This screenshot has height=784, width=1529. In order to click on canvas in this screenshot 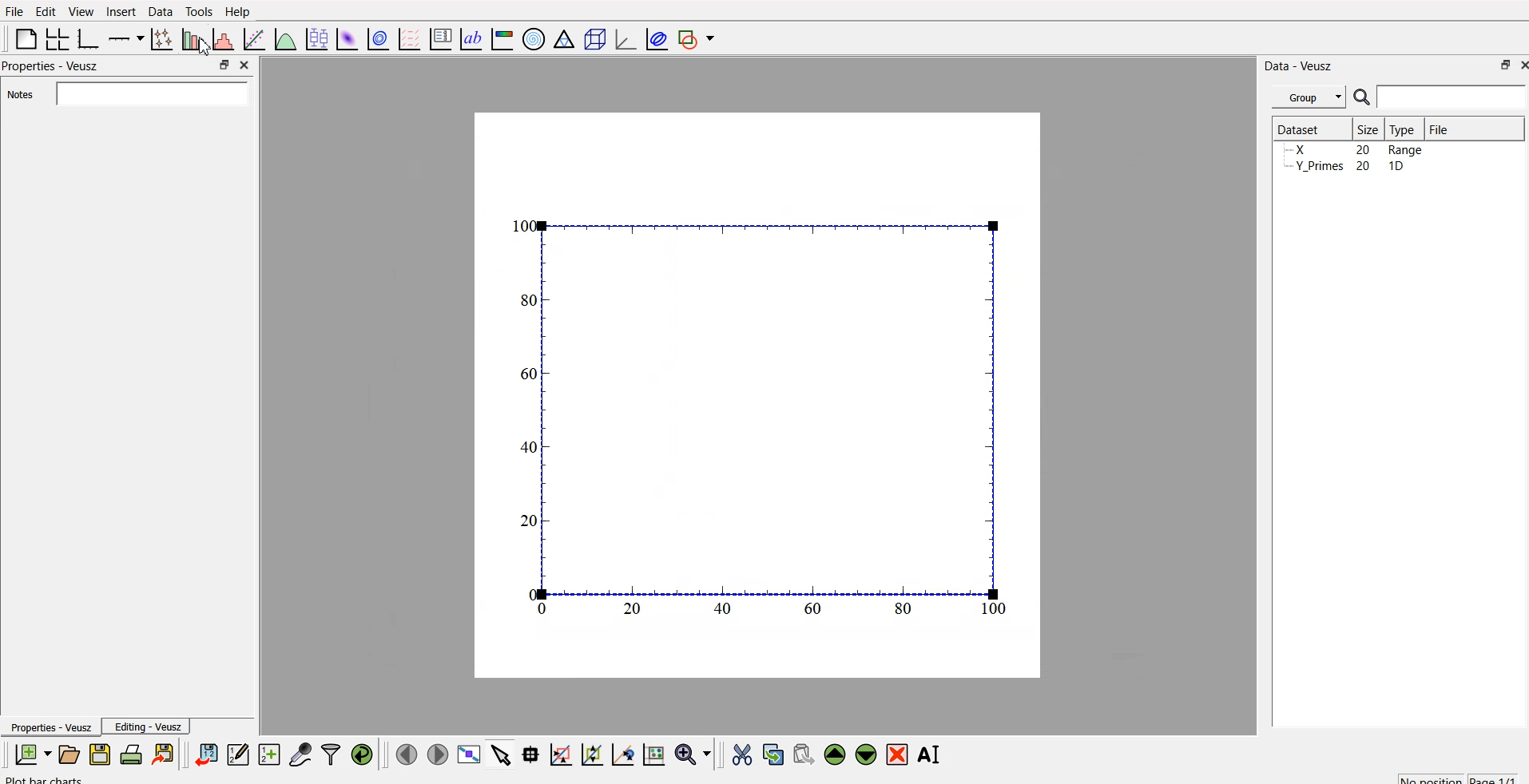, I will do `click(757, 396)`.